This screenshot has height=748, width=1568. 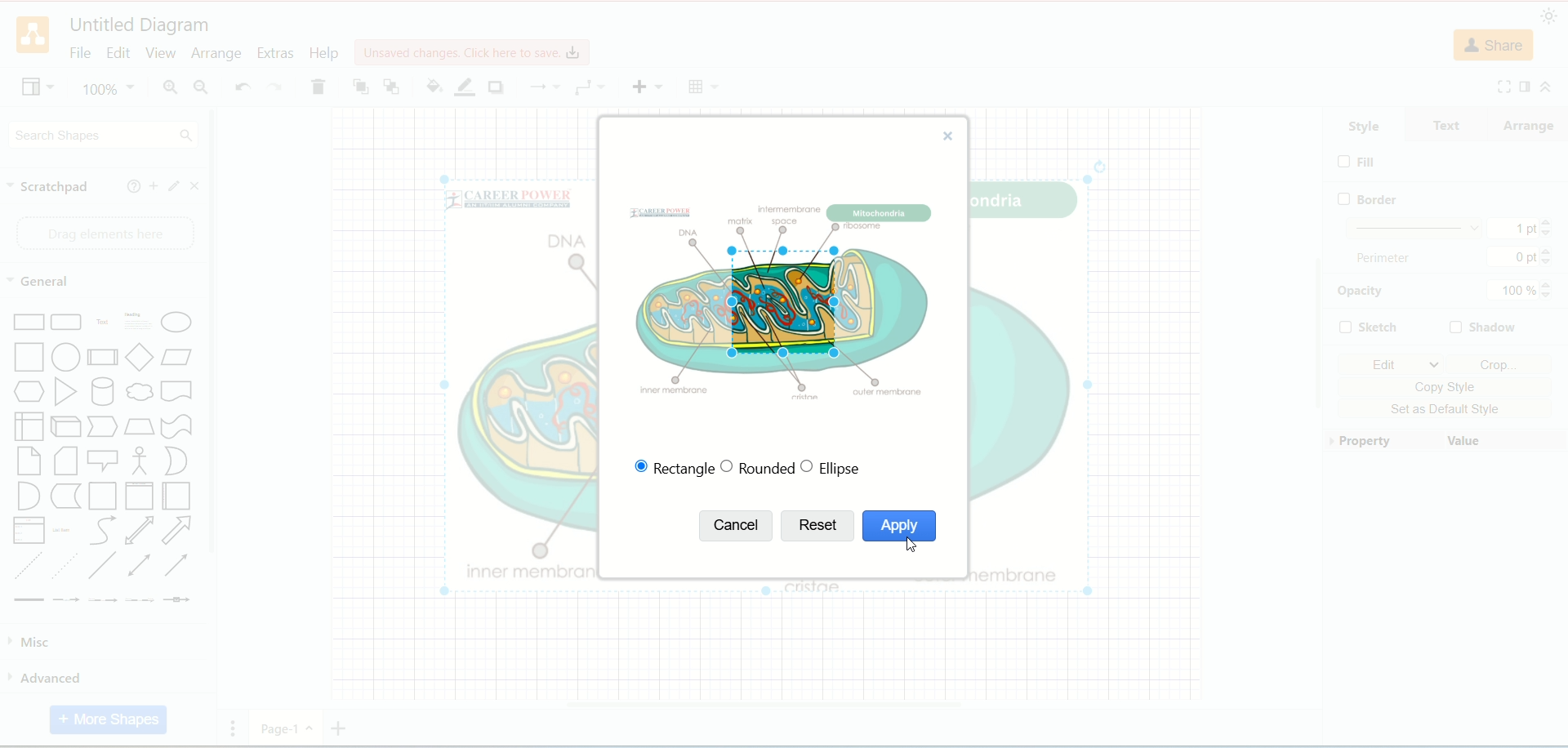 What do you see at coordinates (177, 323) in the screenshot?
I see `Ellipse` at bounding box center [177, 323].